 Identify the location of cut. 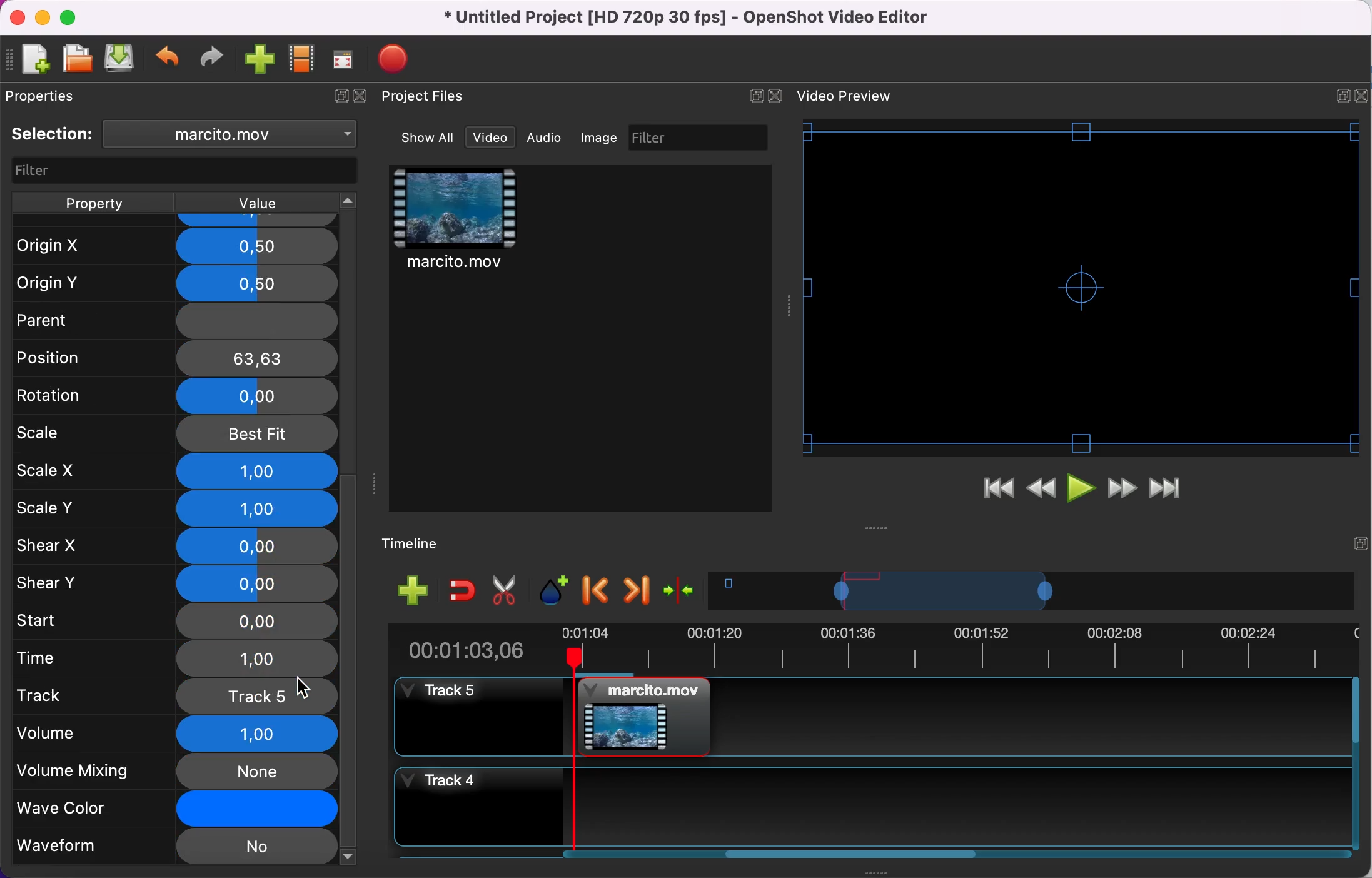
(505, 591).